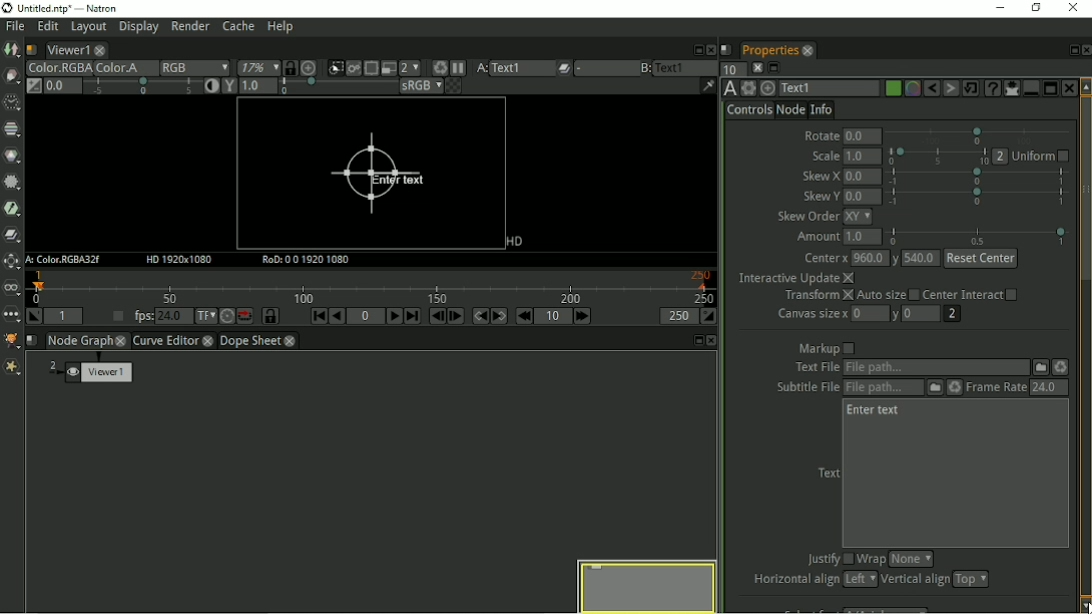  Describe the element at coordinates (709, 48) in the screenshot. I see `Close` at that location.